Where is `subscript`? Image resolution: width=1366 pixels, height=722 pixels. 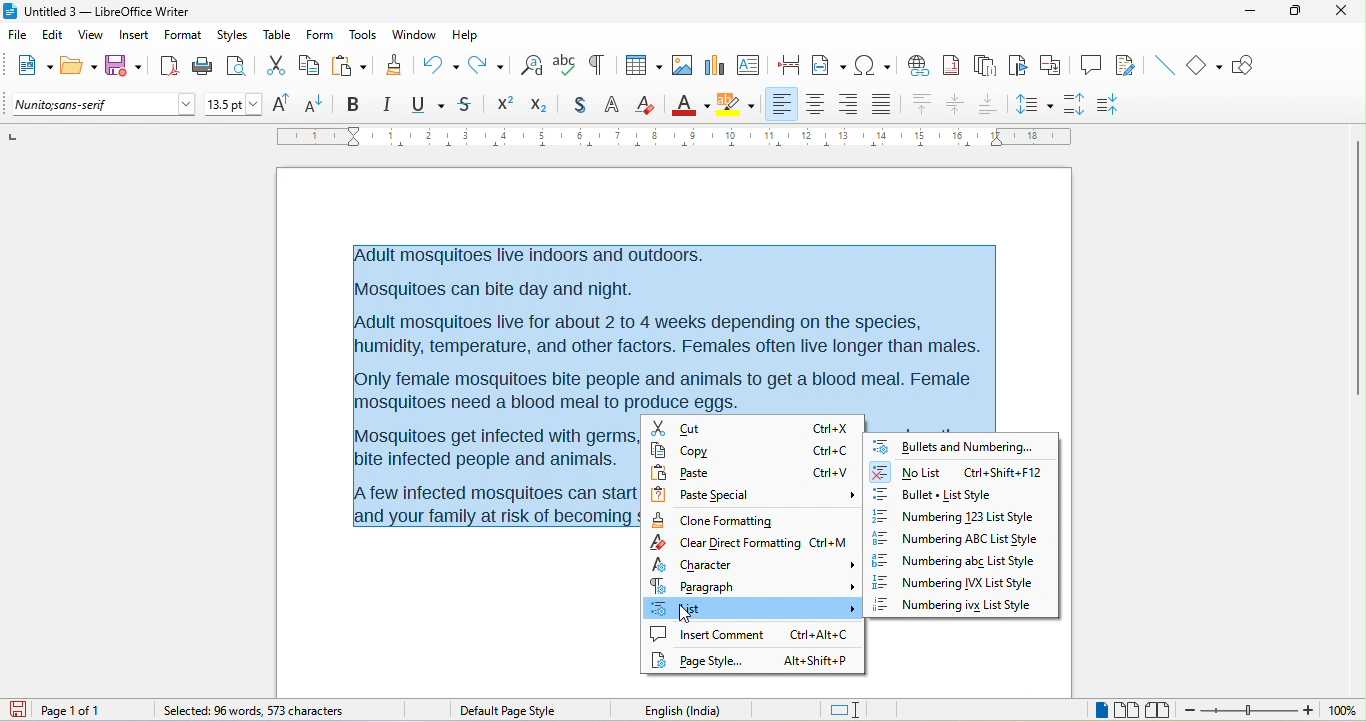 subscript is located at coordinates (537, 105).